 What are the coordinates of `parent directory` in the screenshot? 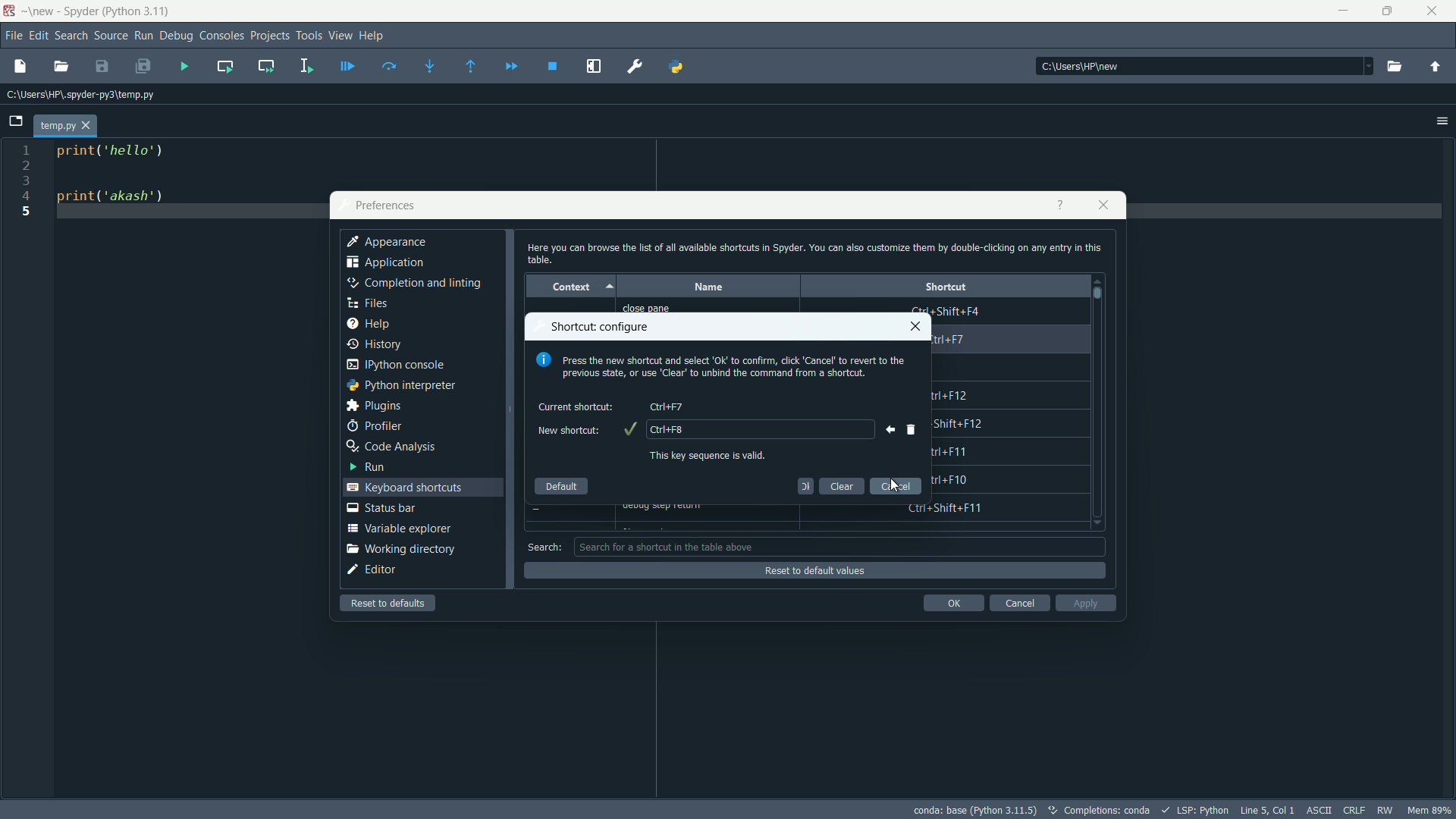 It's located at (1435, 69).